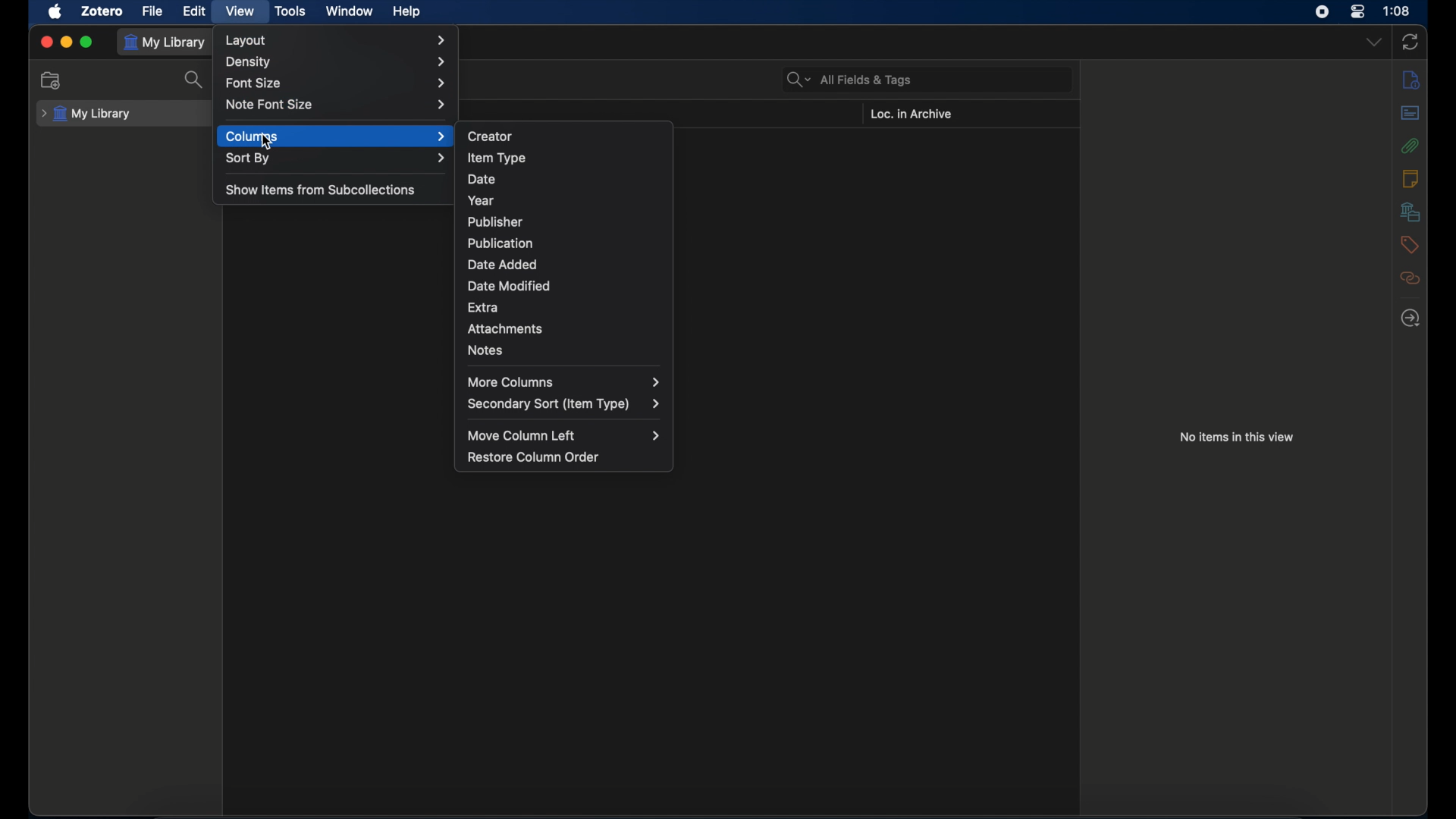  What do you see at coordinates (195, 79) in the screenshot?
I see `search` at bounding box center [195, 79].